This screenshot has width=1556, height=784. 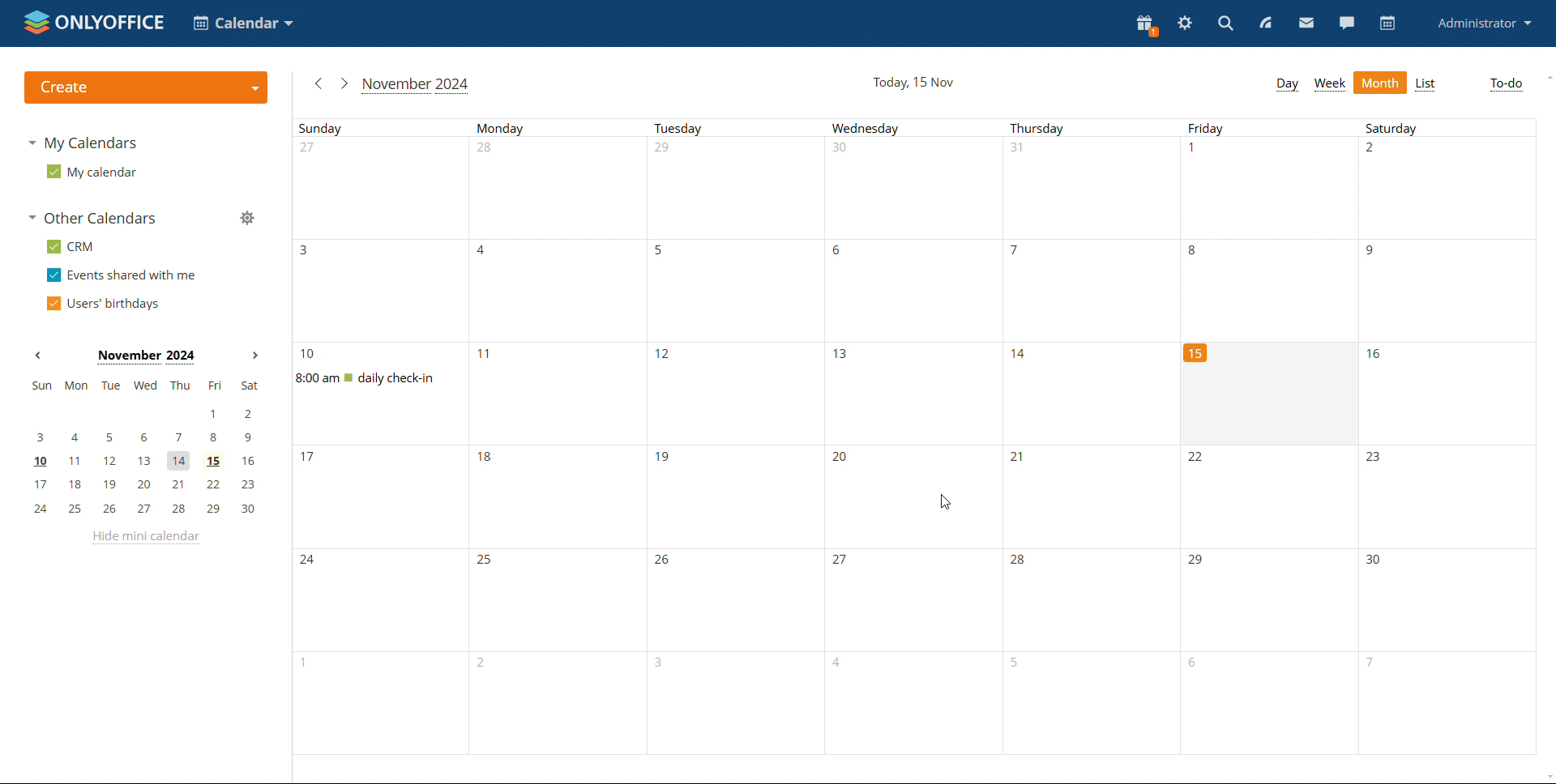 I want to click on , so click(x=1375, y=459).